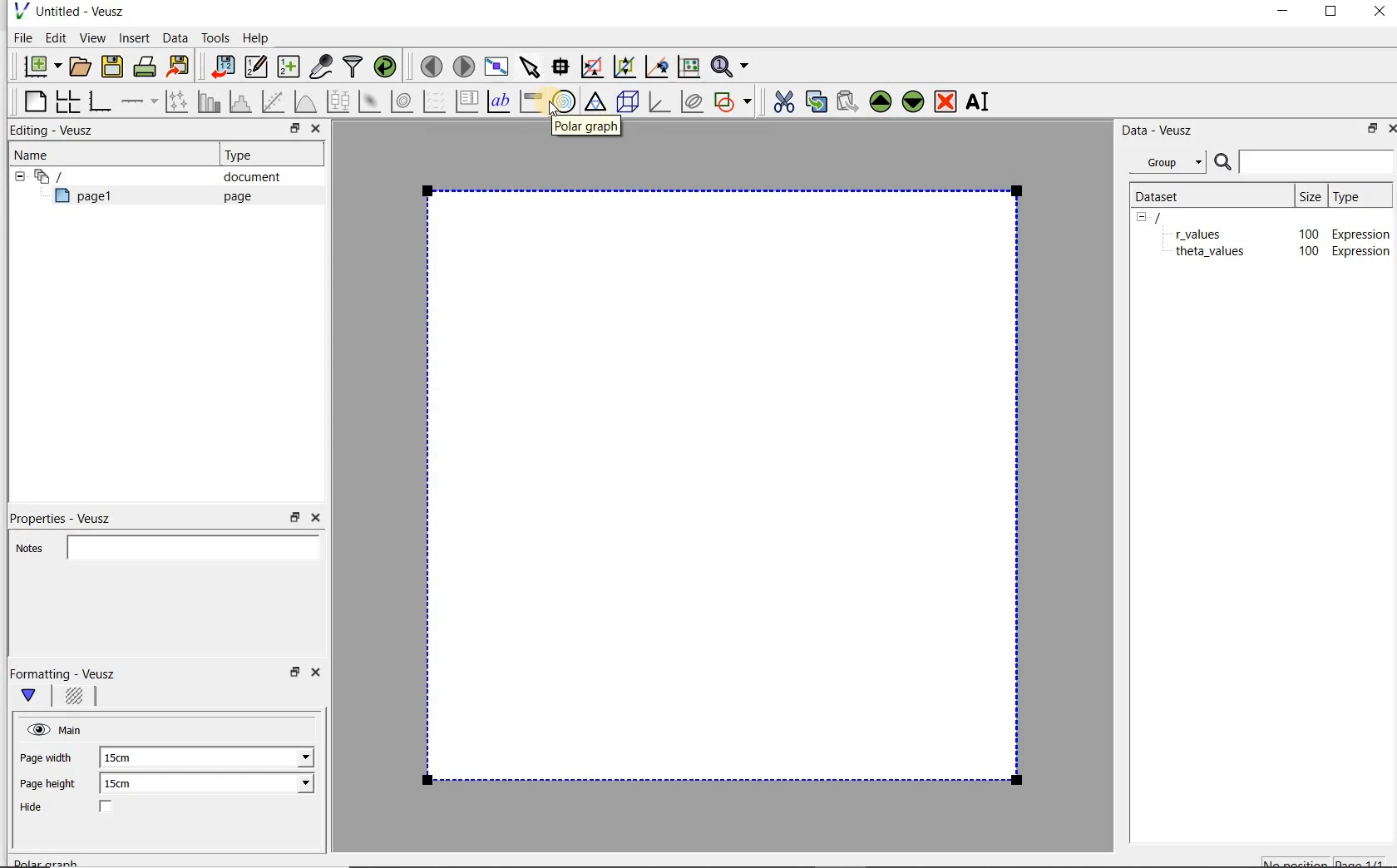 This screenshot has height=868, width=1397. What do you see at coordinates (178, 101) in the screenshot?
I see `Plot points with lines and error bars` at bounding box center [178, 101].